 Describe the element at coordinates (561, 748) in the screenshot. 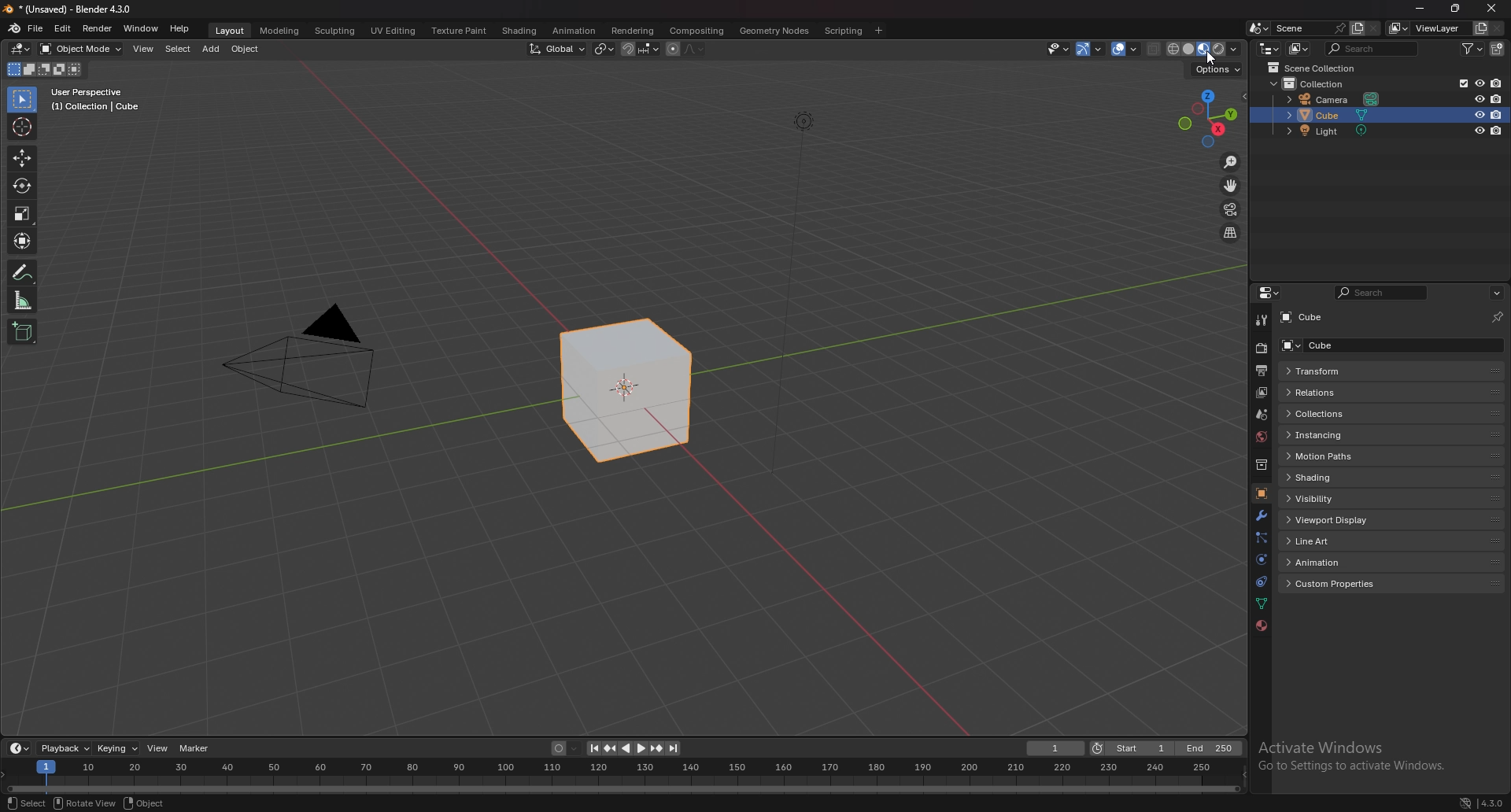

I see `auto keying` at that location.